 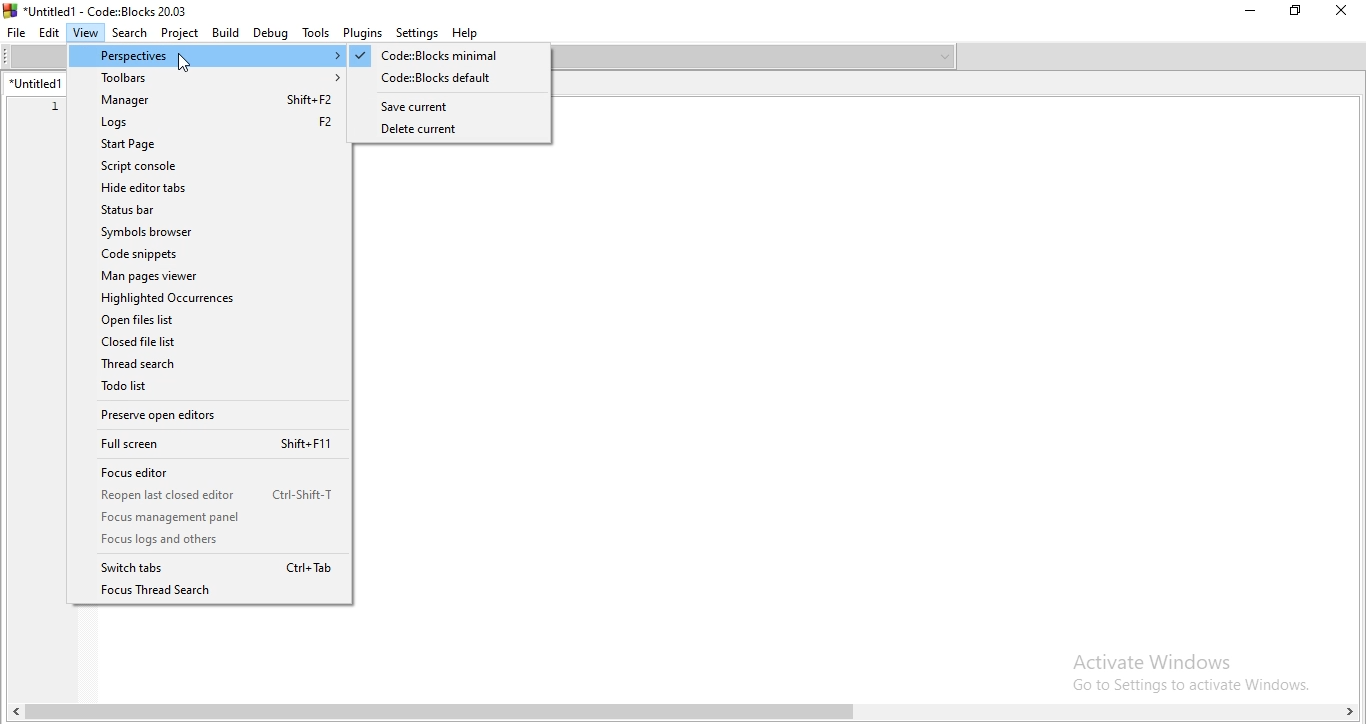 I want to click on Settings , so click(x=415, y=32).